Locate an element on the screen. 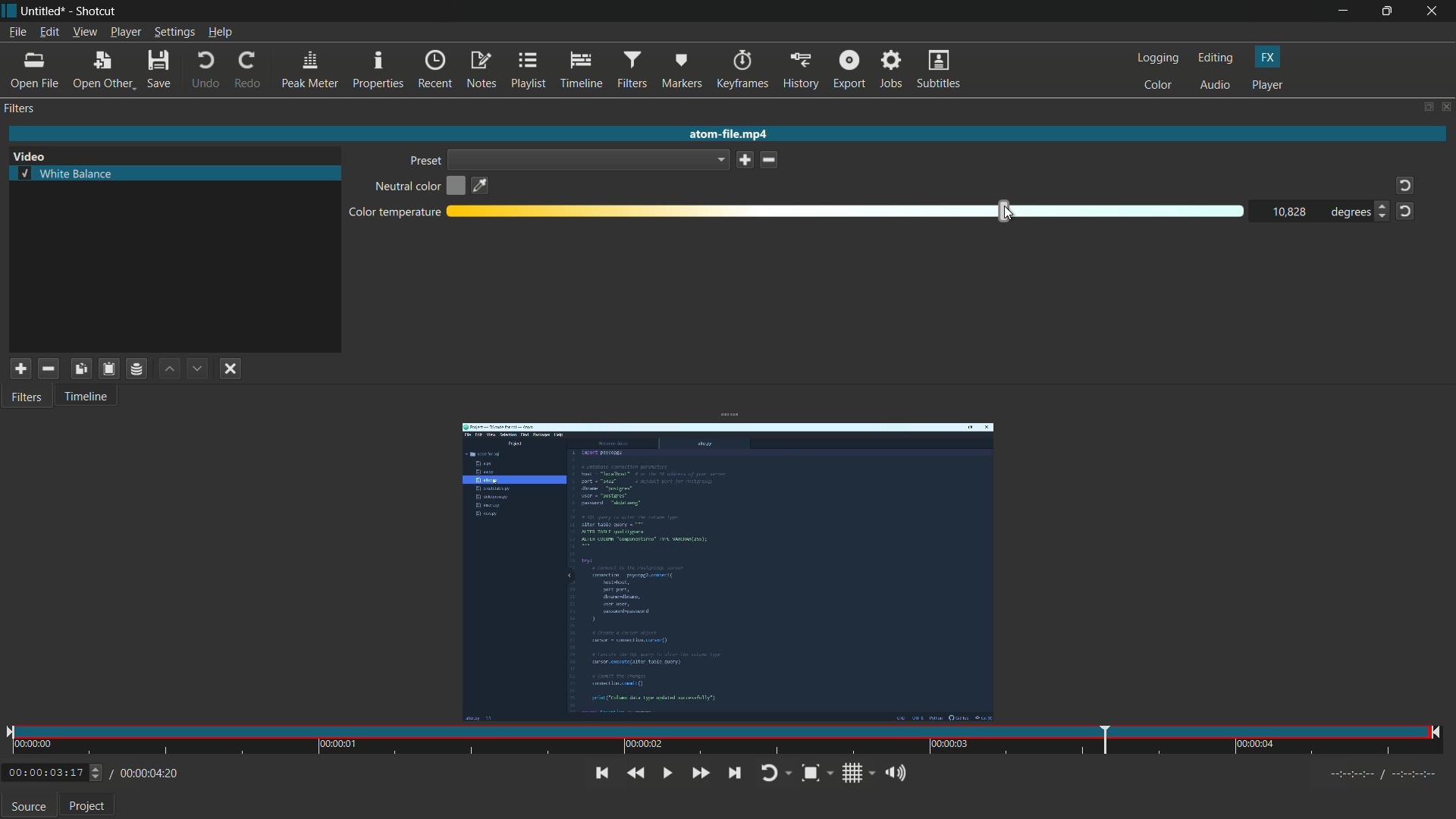 Image resolution: width=1456 pixels, height=819 pixels. remove selected filter is located at coordinates (49, 369).